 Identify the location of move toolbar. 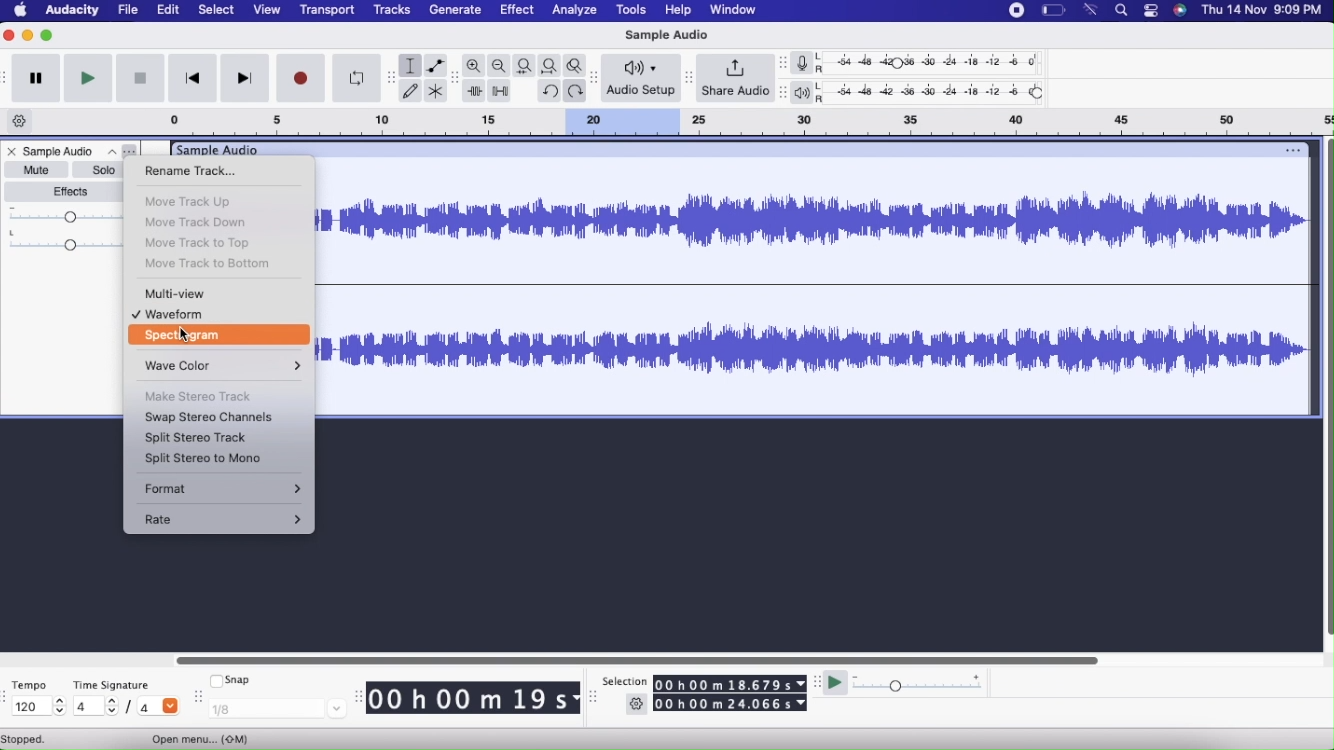
(394, 77).